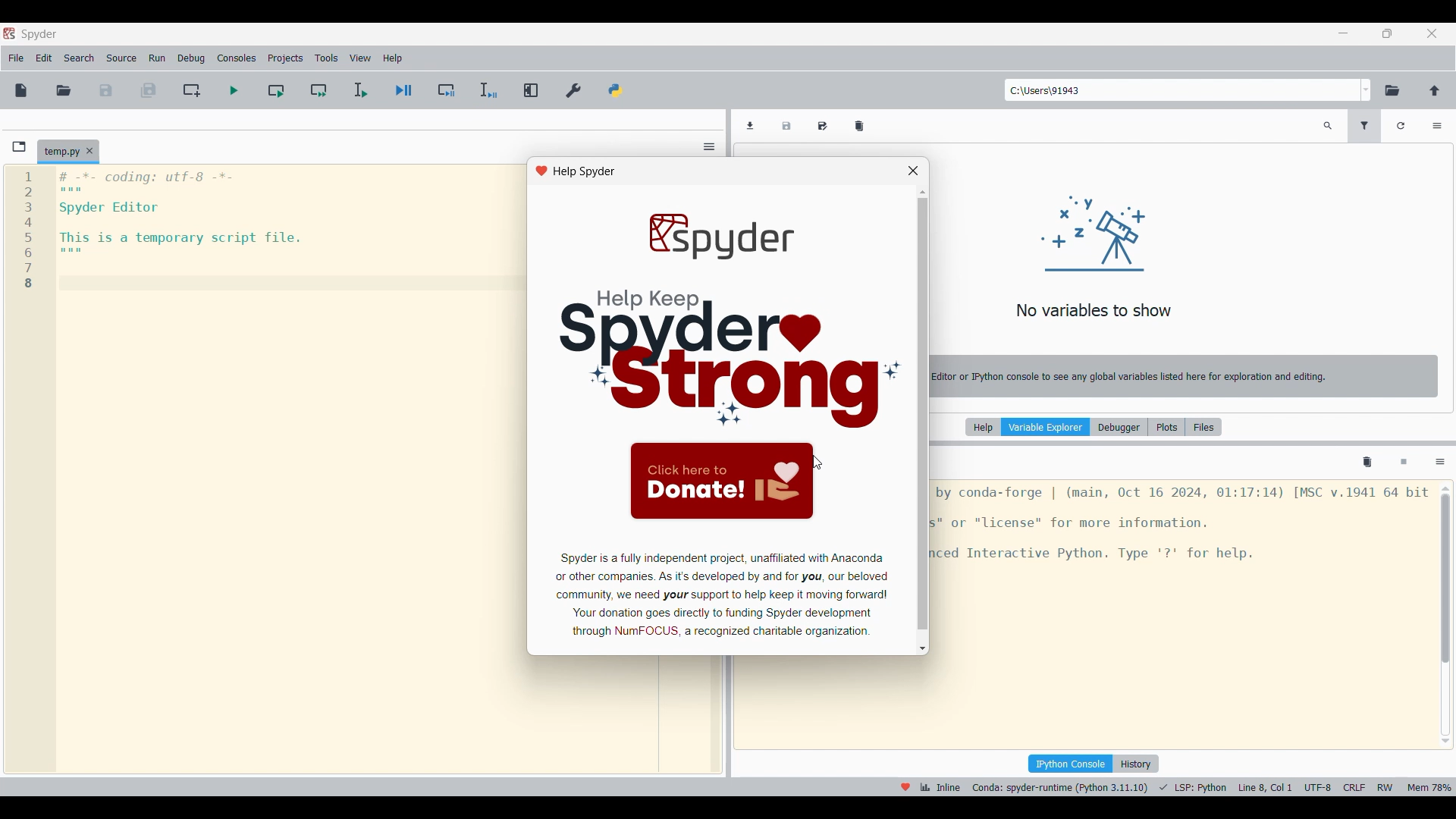 The width and height of the screenshot is (1456, 819). What do you see at coordinates (1432, 33) in the screenshot?
I see `Close interface` at bounding box center [1432, 33].